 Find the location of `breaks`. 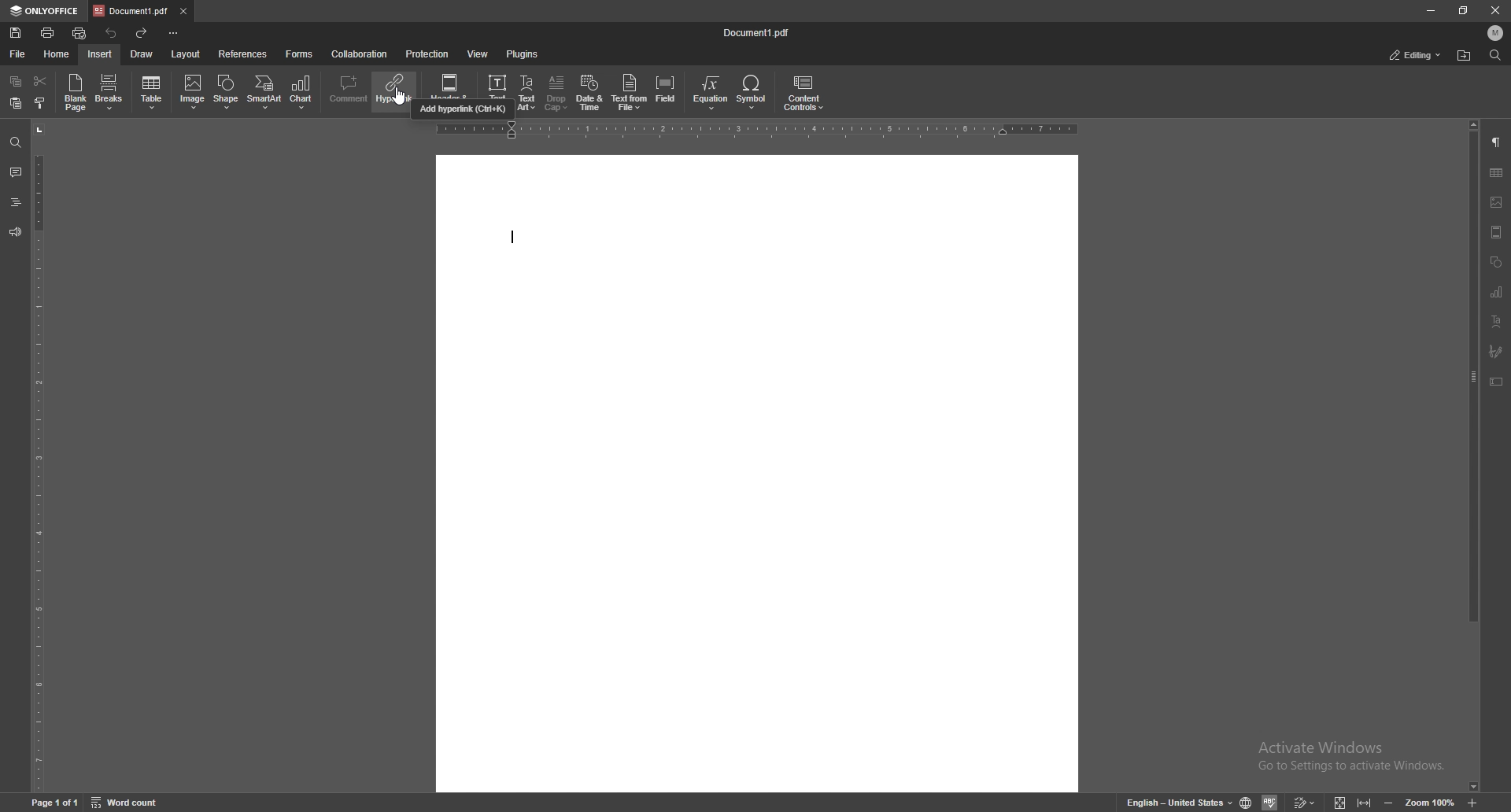

breaks is located at coordinates (109, 91).